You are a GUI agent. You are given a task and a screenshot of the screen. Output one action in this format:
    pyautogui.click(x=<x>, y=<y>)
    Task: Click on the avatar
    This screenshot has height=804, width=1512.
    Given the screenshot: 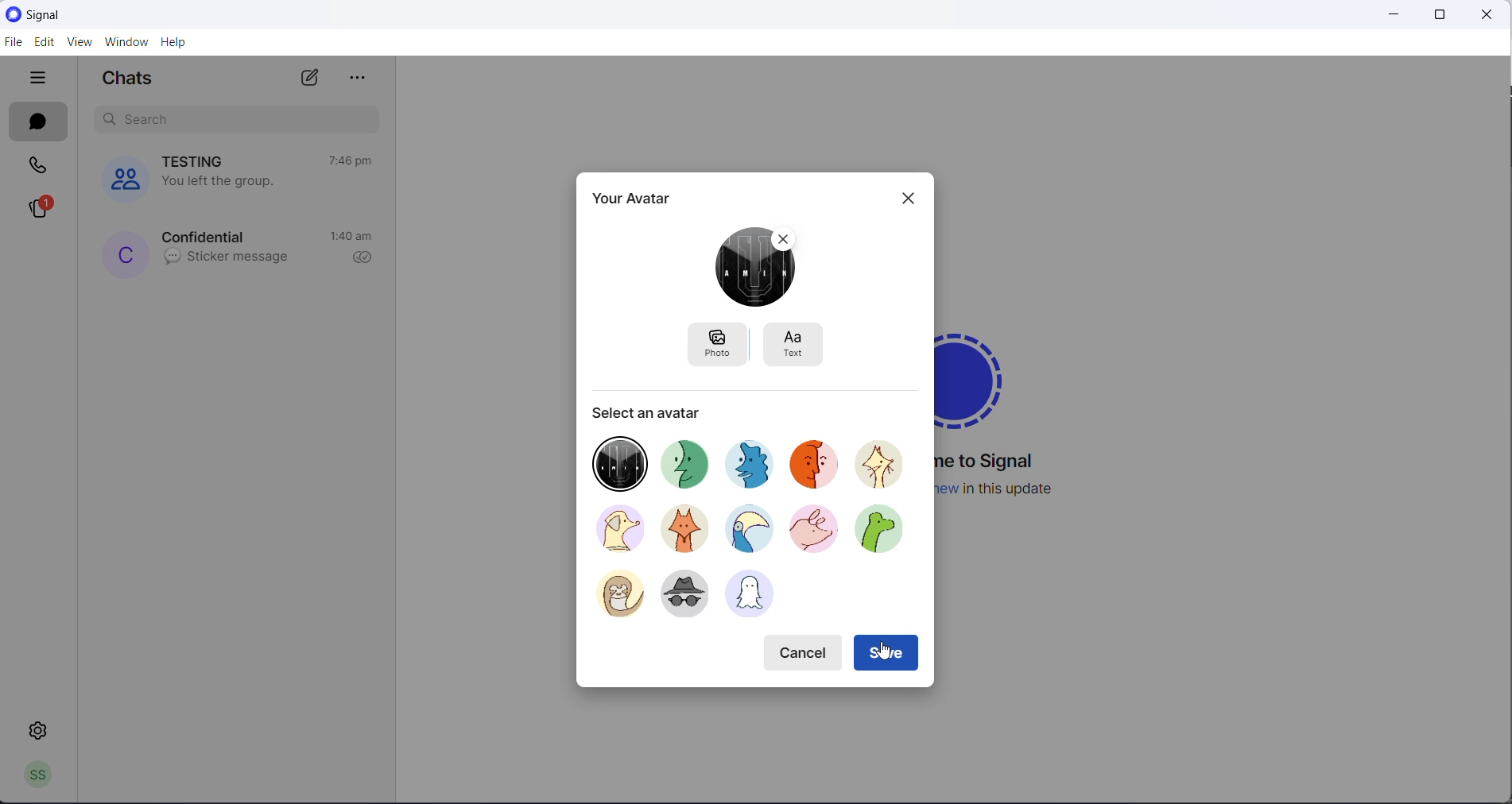 What is the action you would take?
    pyautogui.click(x=612, y=528)
    